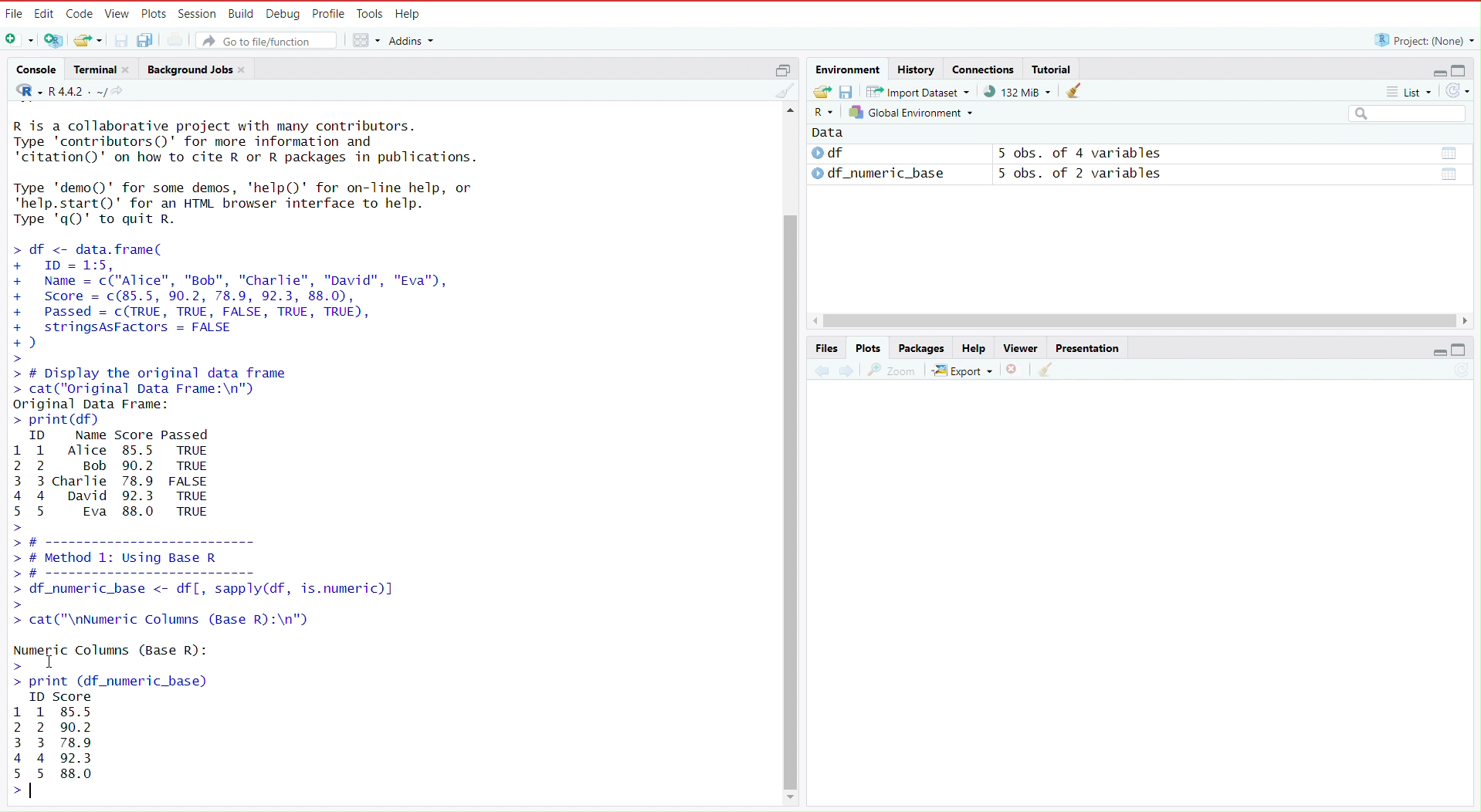  What do you see at coordinates (1016, 92) in the screenshot?
I see `91,132 KiB used by R session` at bounding box center [1016, 92].